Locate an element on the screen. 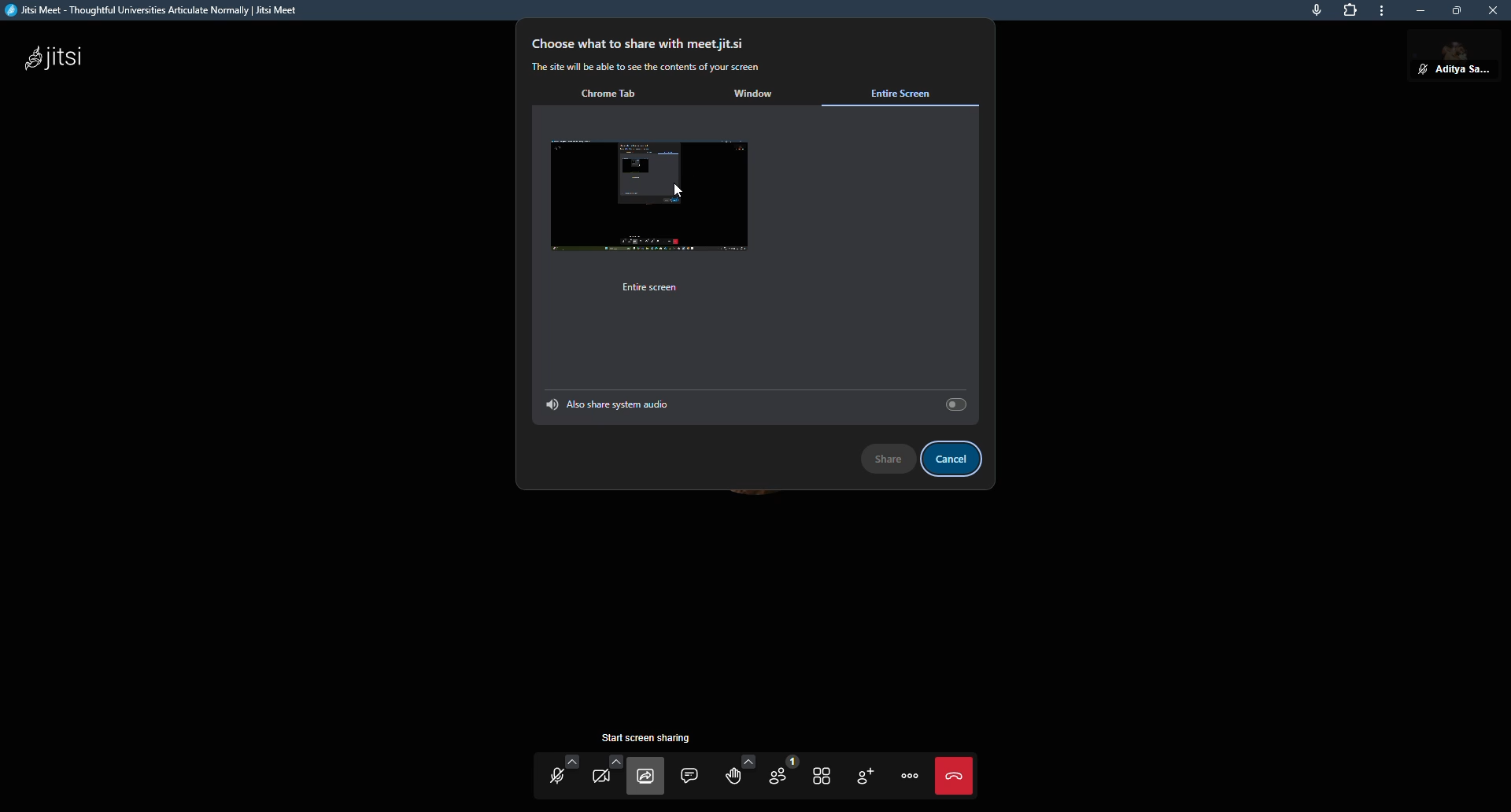  participants is located at coordinates (781, 773).